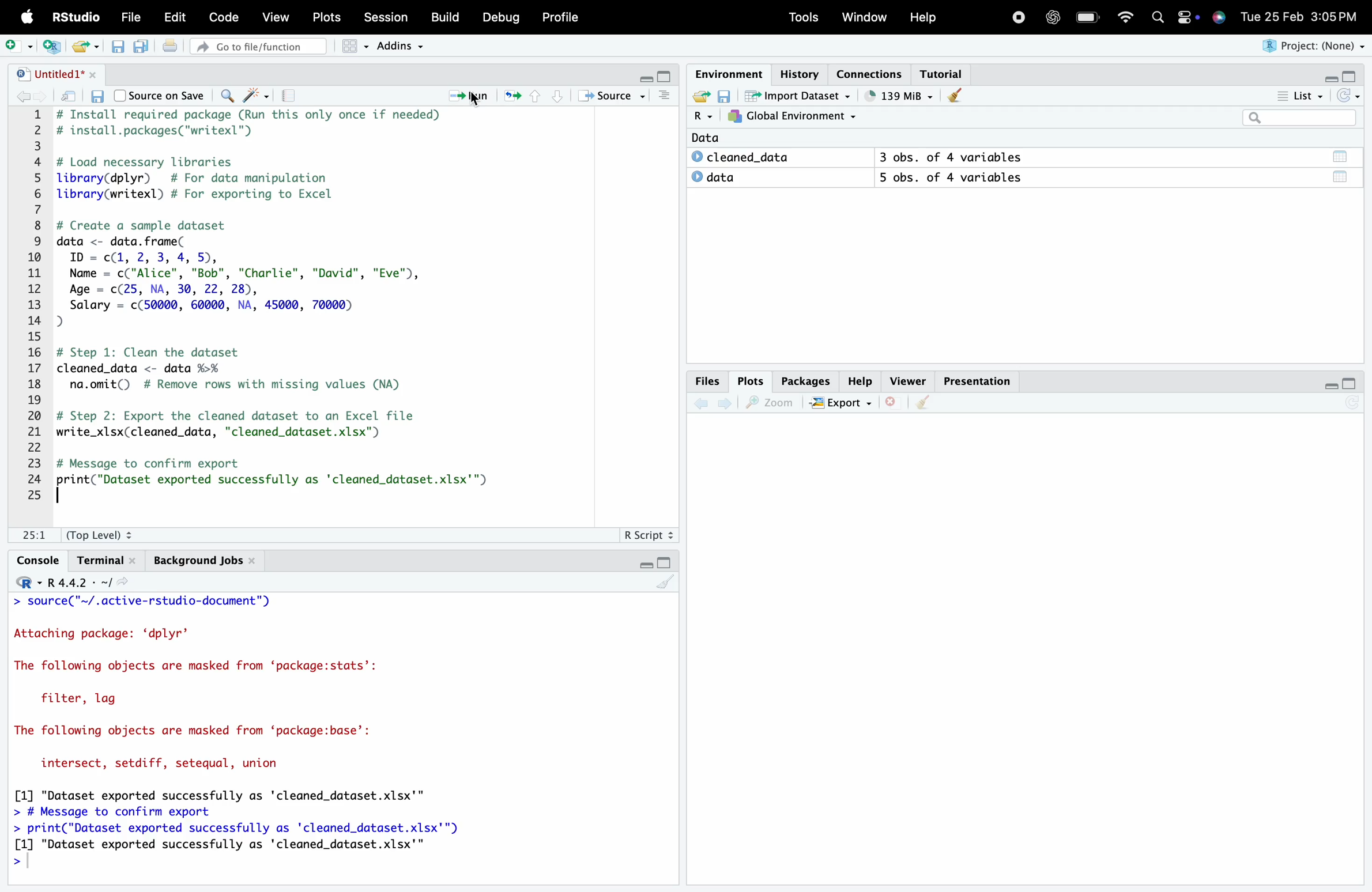 This screenshot has width=1372, height=892. Describe the element at coordinates (845, 402) in the screenshot. I see `Export` at that location.